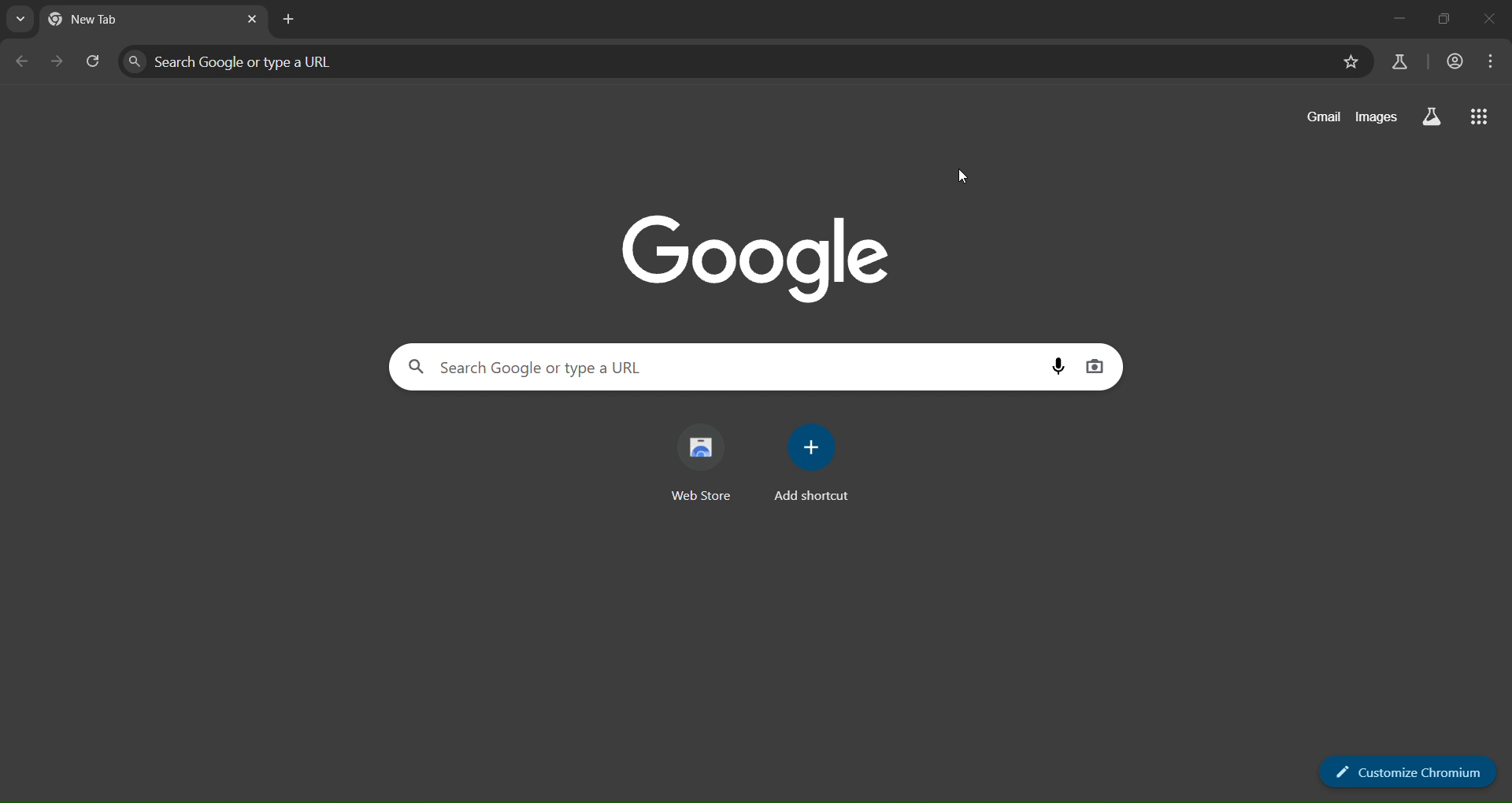 Image resolution: width=1512 pixels, height=803 pixels. What do you see at coordinates (22, 18) in the screenshot?
I see `search tabs` at bounding box center [22, 18].